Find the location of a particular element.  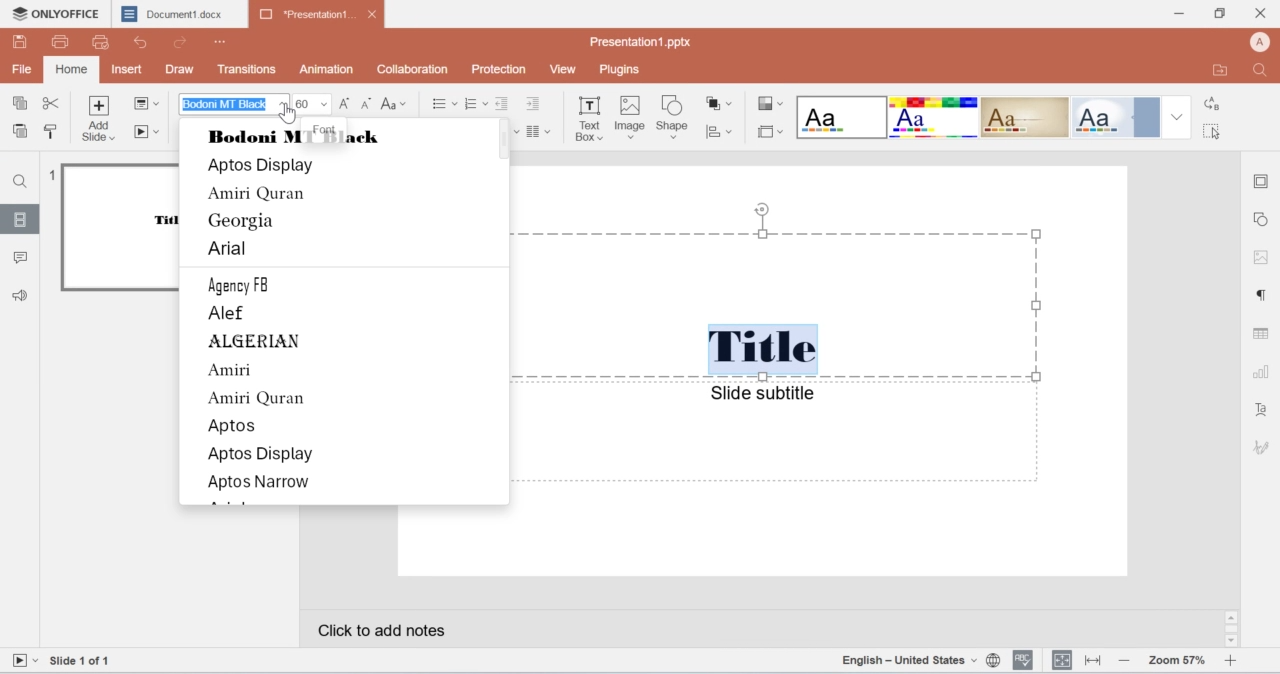

Alef is located at coordinates (232, 315).